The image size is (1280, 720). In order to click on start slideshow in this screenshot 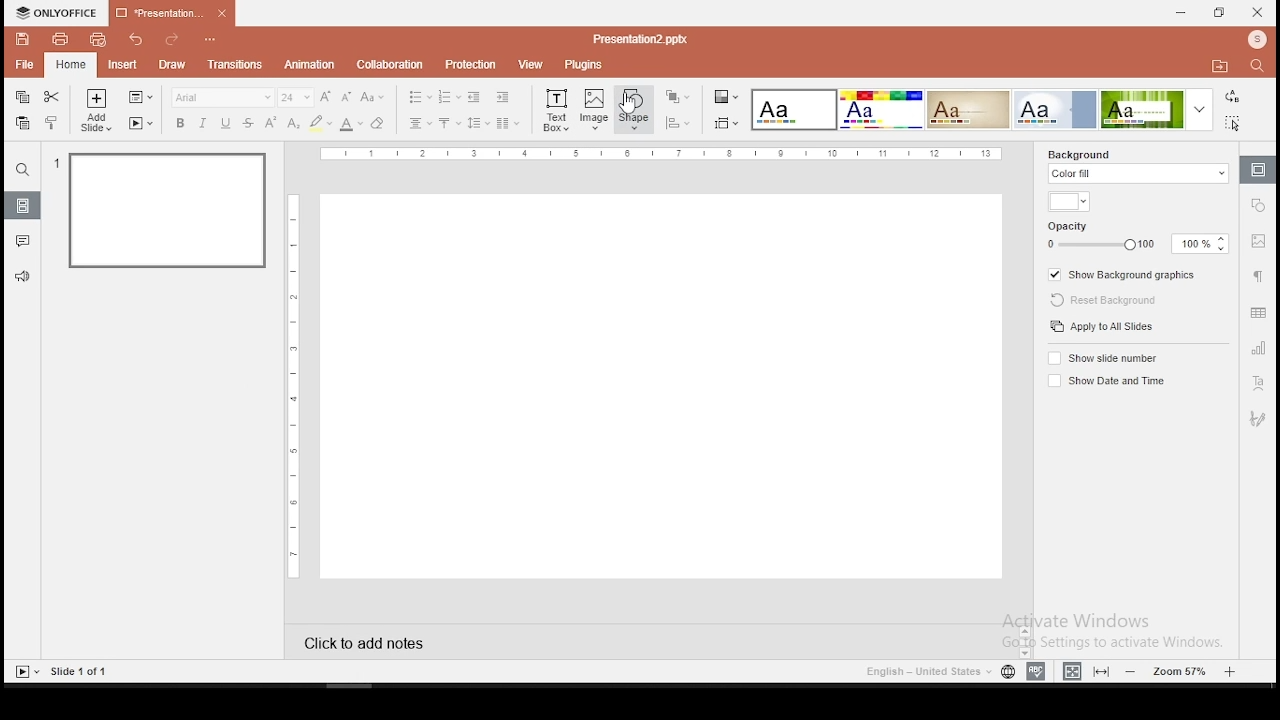, I will do `click(26, 672)`.